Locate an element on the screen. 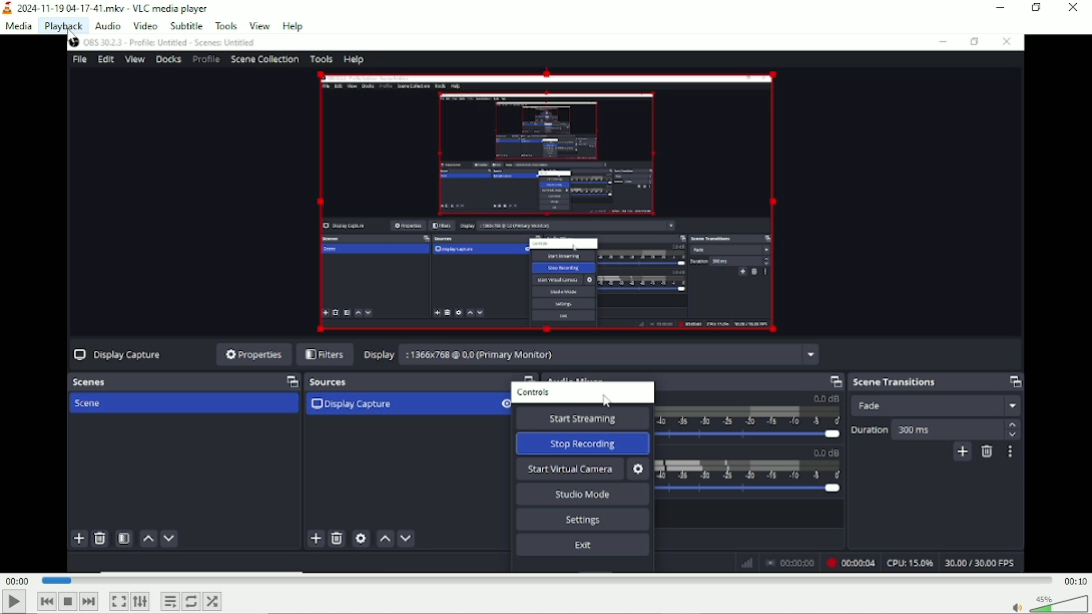 This screenshot has width=1092, height=614. Playback is located at coordinates (63, 26).